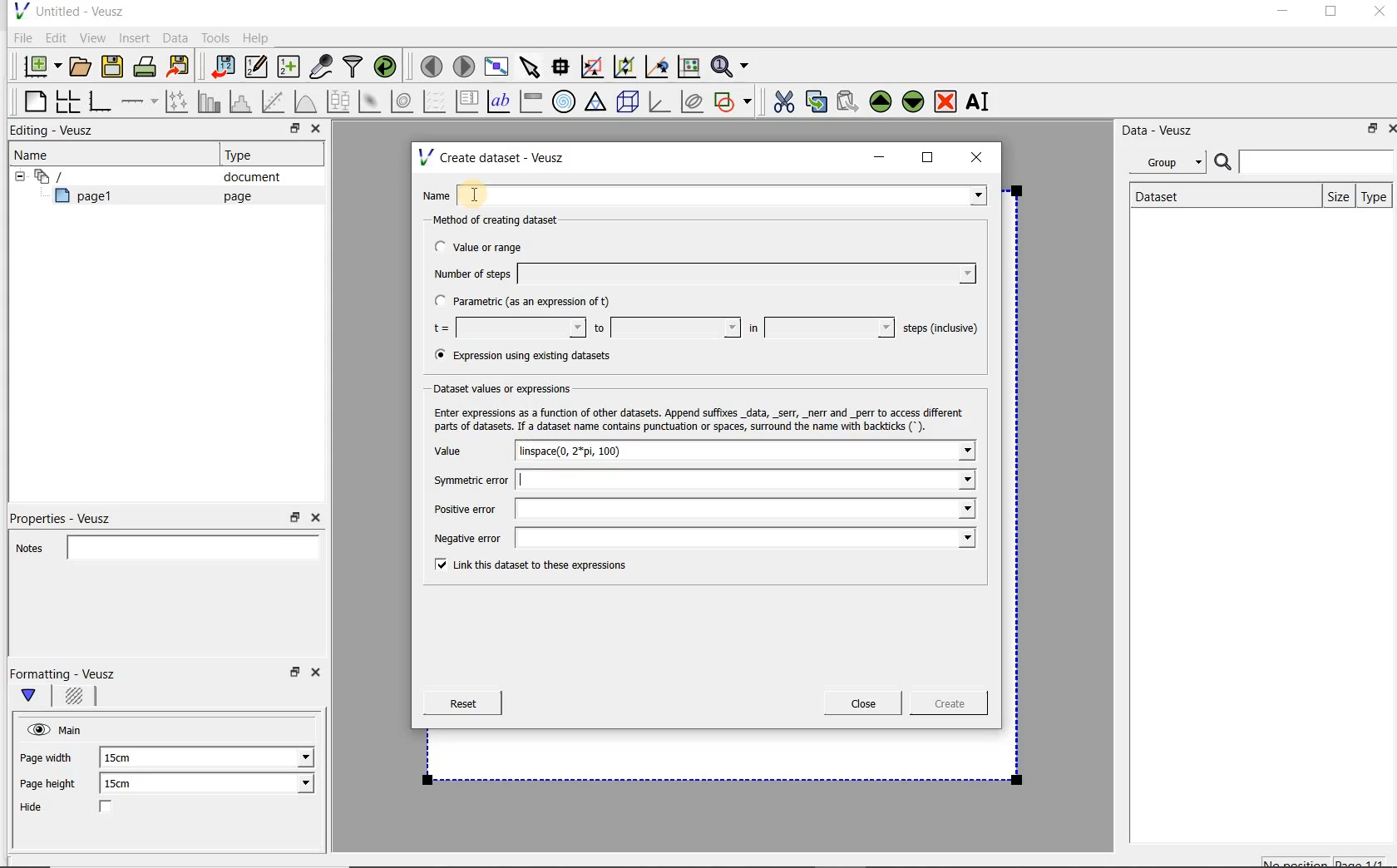 The width and height of the screenshot is (1397, 868). I want to click on 3d scene, so click(629, 103).